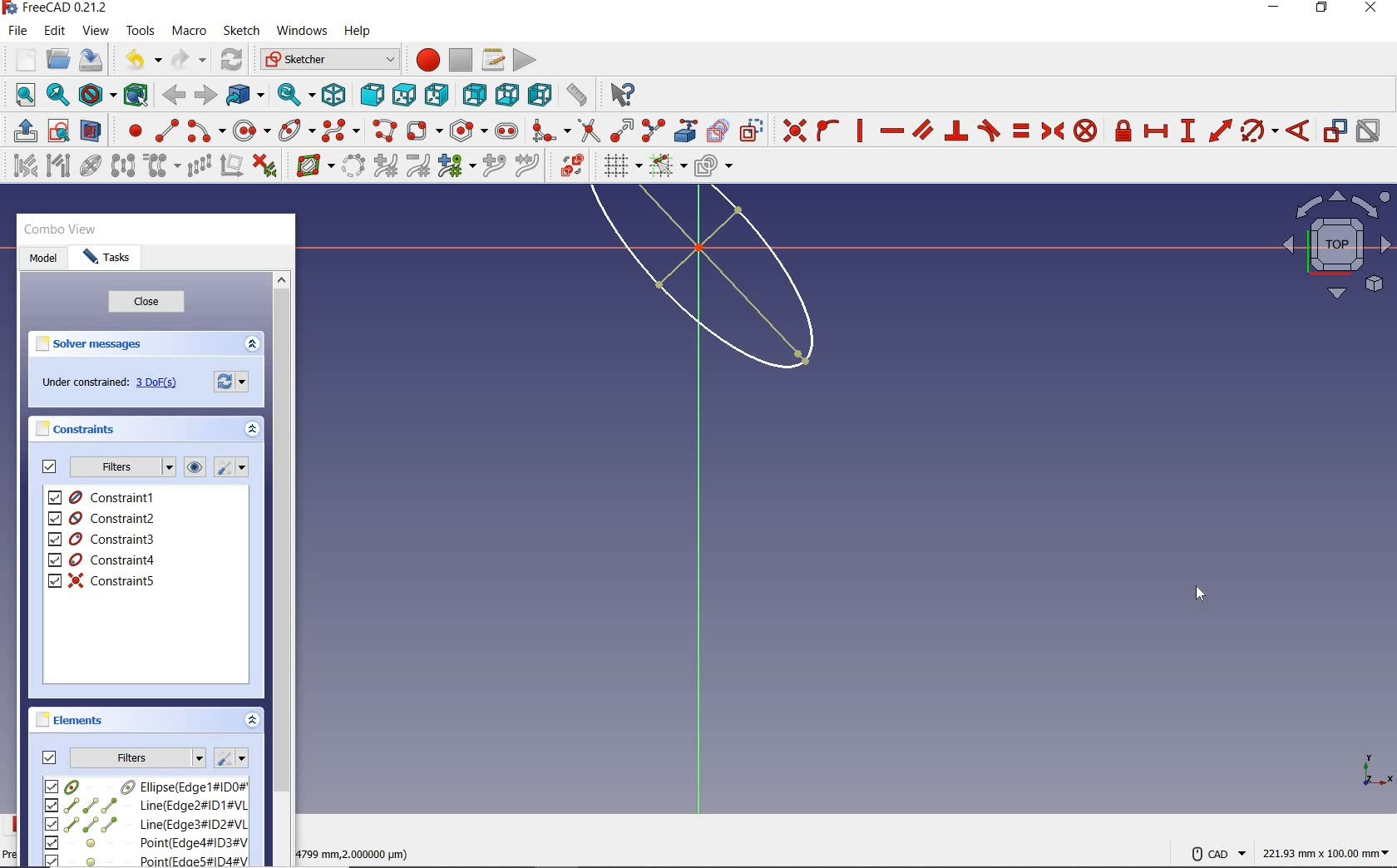 This screenshot has height=868, width=1397. What do you see at coordinates (107, 497) in the screenshot?
I see `constraint1` at bounding box center [107, 497].